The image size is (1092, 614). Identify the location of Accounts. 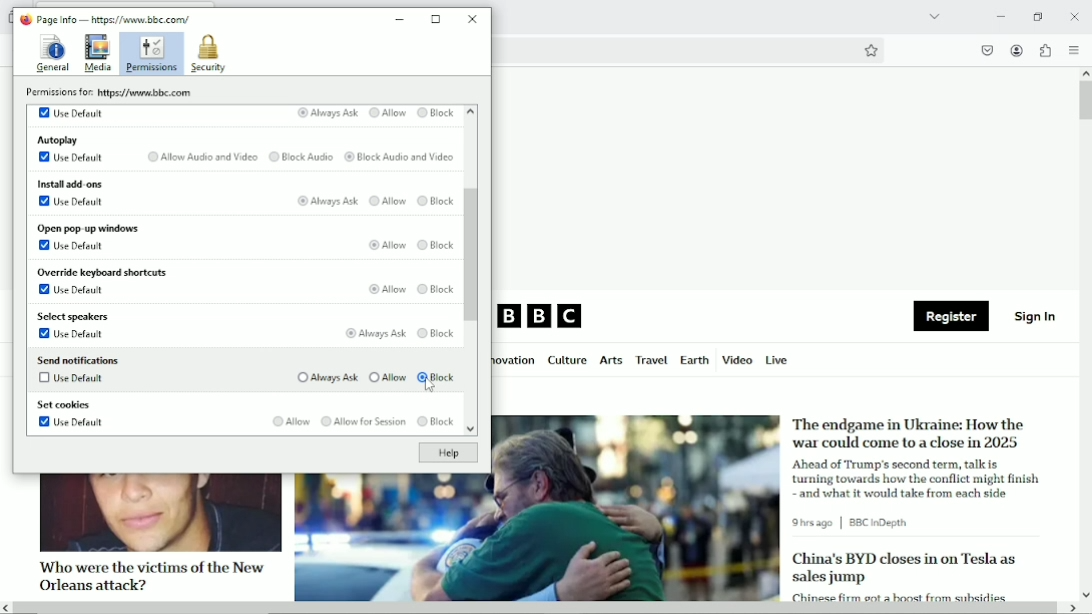
(1015, 48).